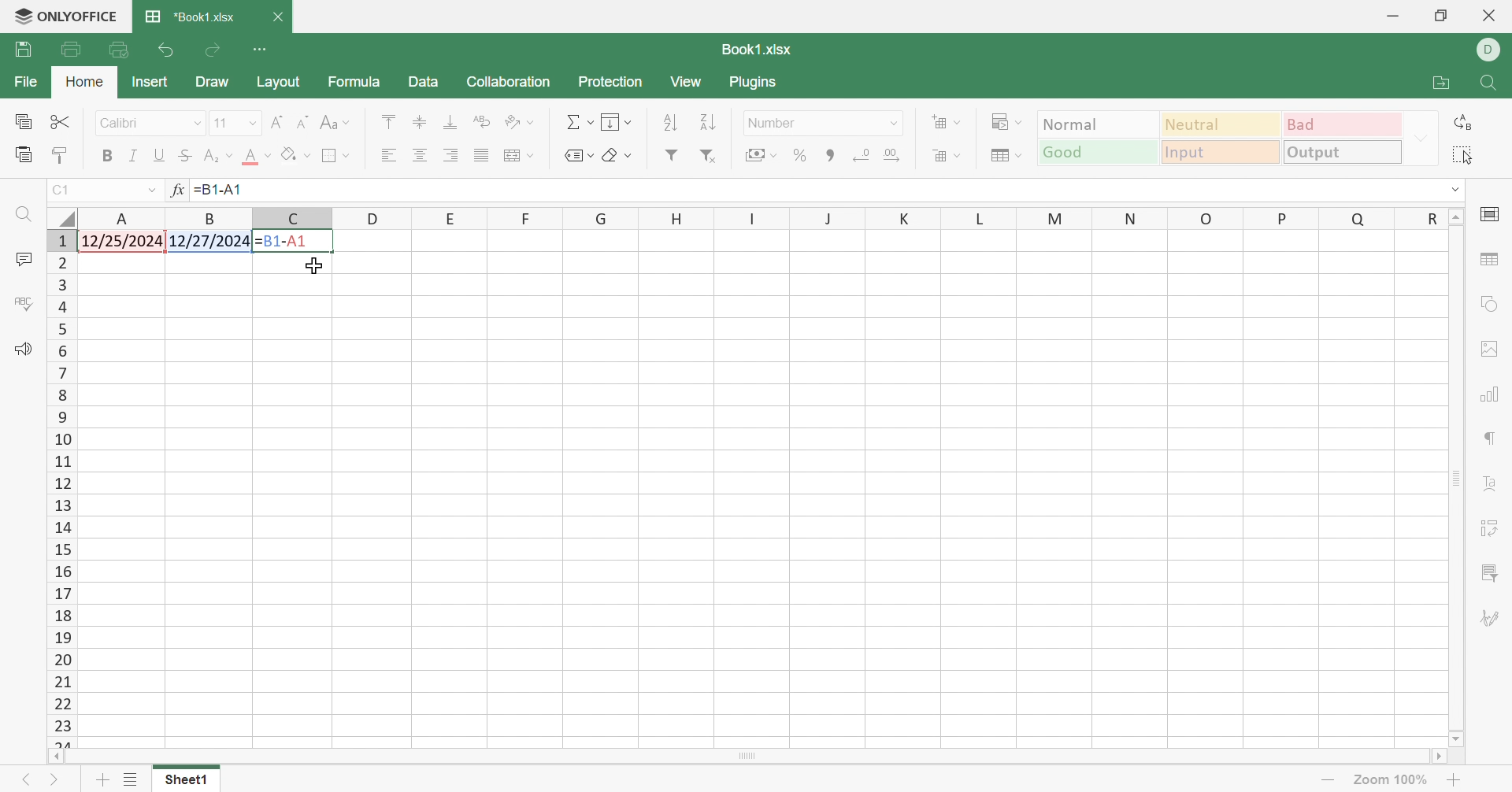 The width and height of the screenshot is (1512, 792). Describe the element at coordinates (1489, 442) in the screenshot. I see `Paragraph settings` at that location.